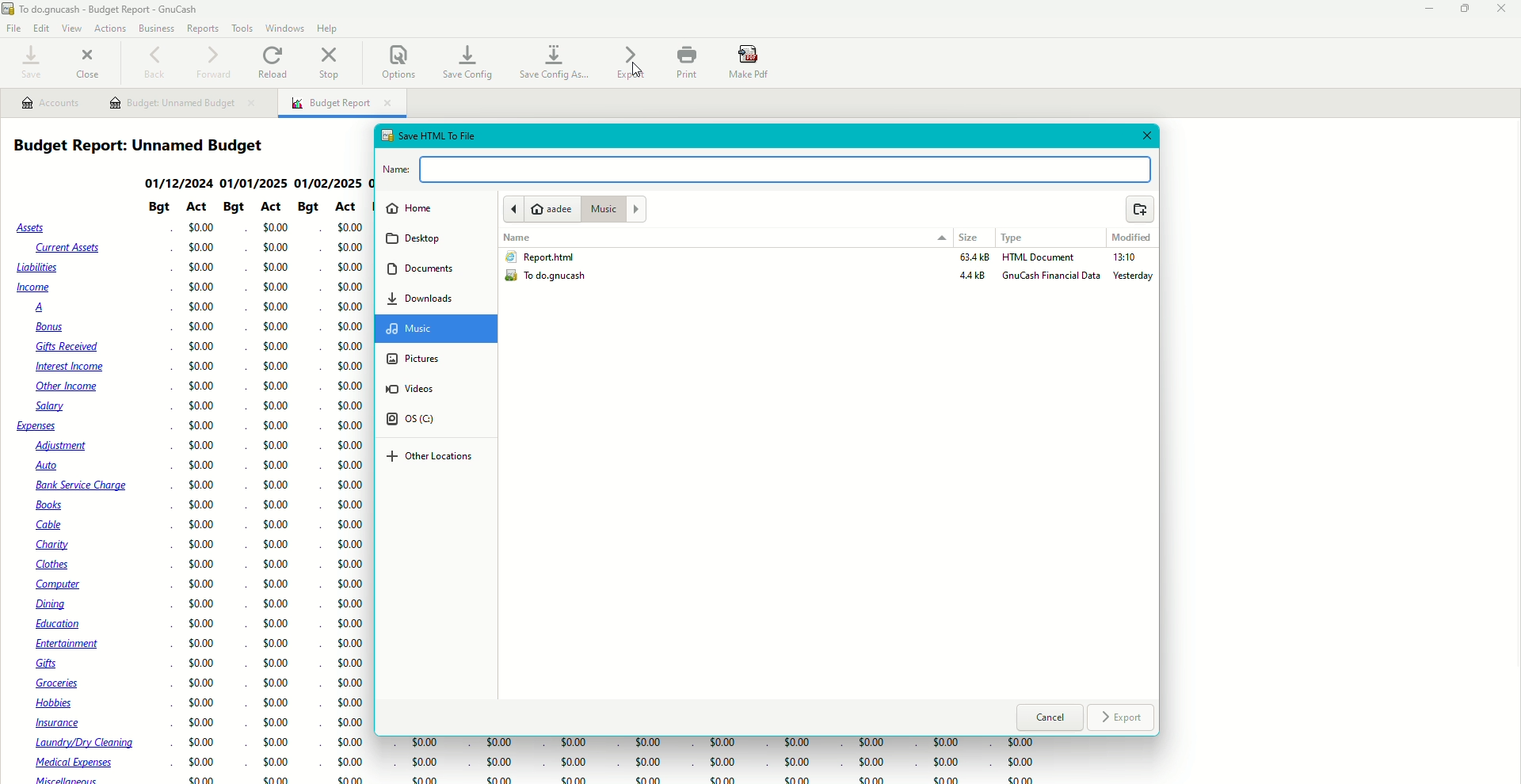 This screenshot has width=1521, height=784. What do you see at coordinates (970, 239) in the screenshot?
I see `Size` at bounding box center [970, 239].